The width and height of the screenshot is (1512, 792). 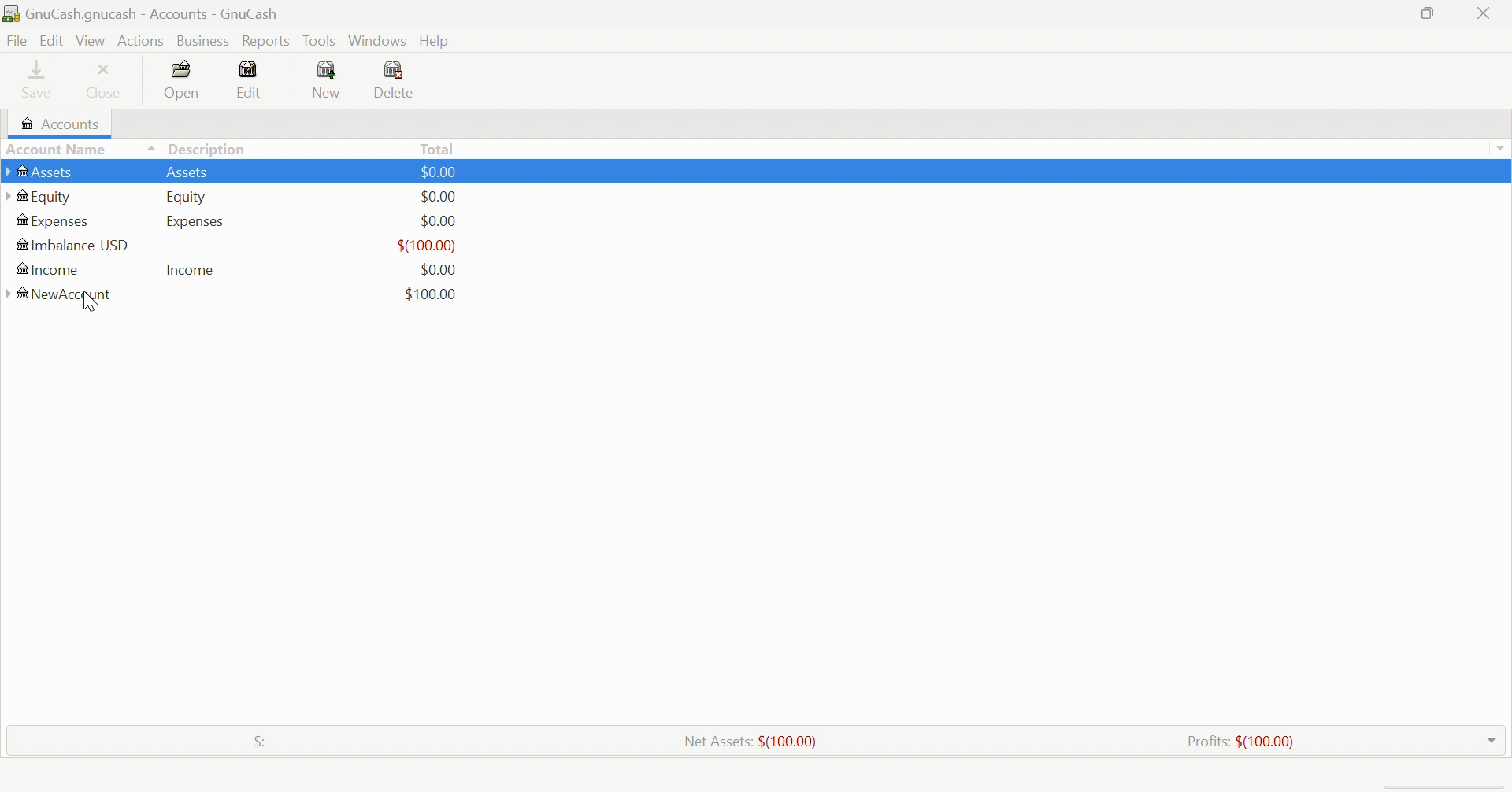 I want to click on Edit, so click(x=251, y=80).